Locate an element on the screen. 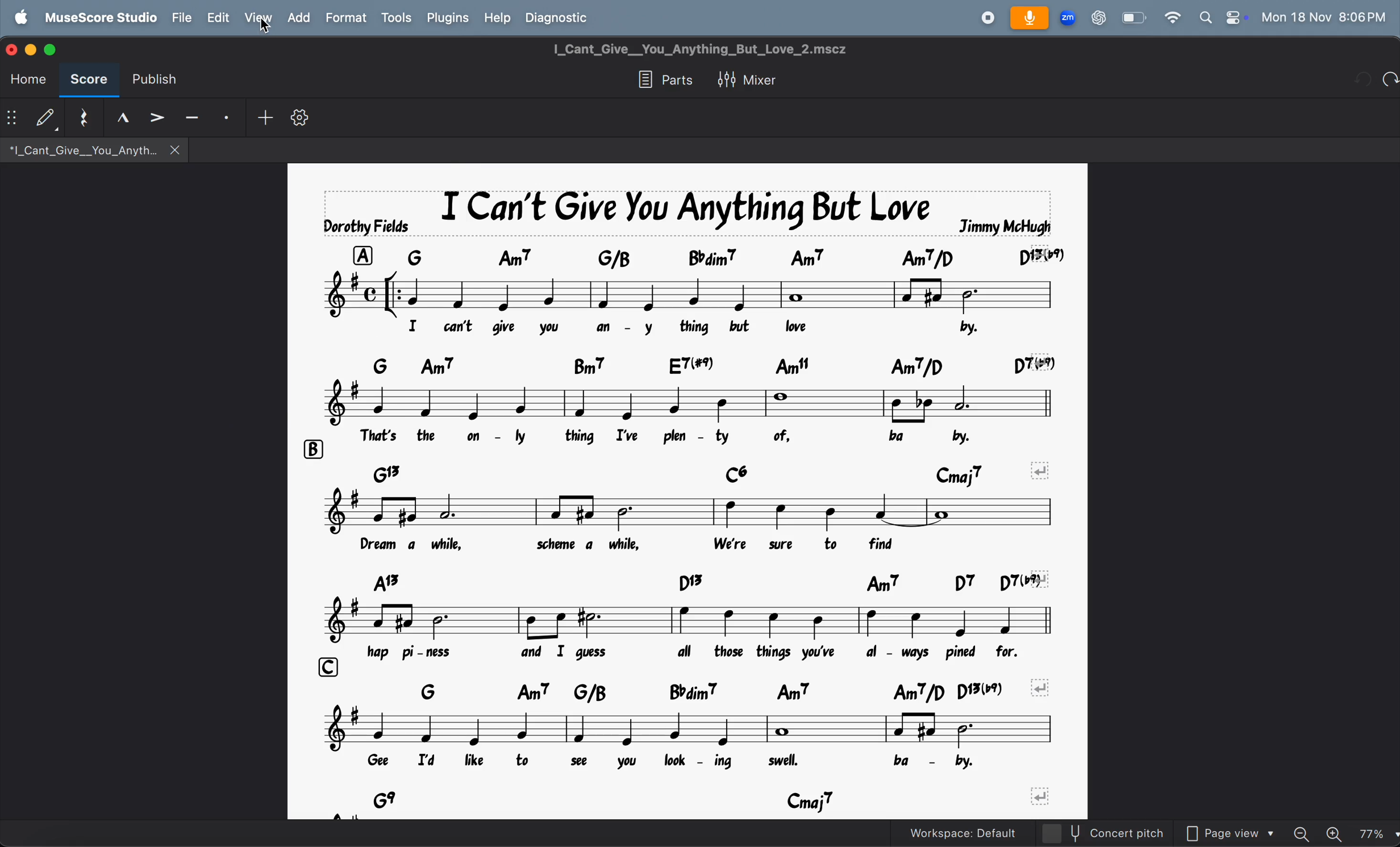 The width and height of the screenshot is (1400, 847). battery is located at coordinates (1132, 18).